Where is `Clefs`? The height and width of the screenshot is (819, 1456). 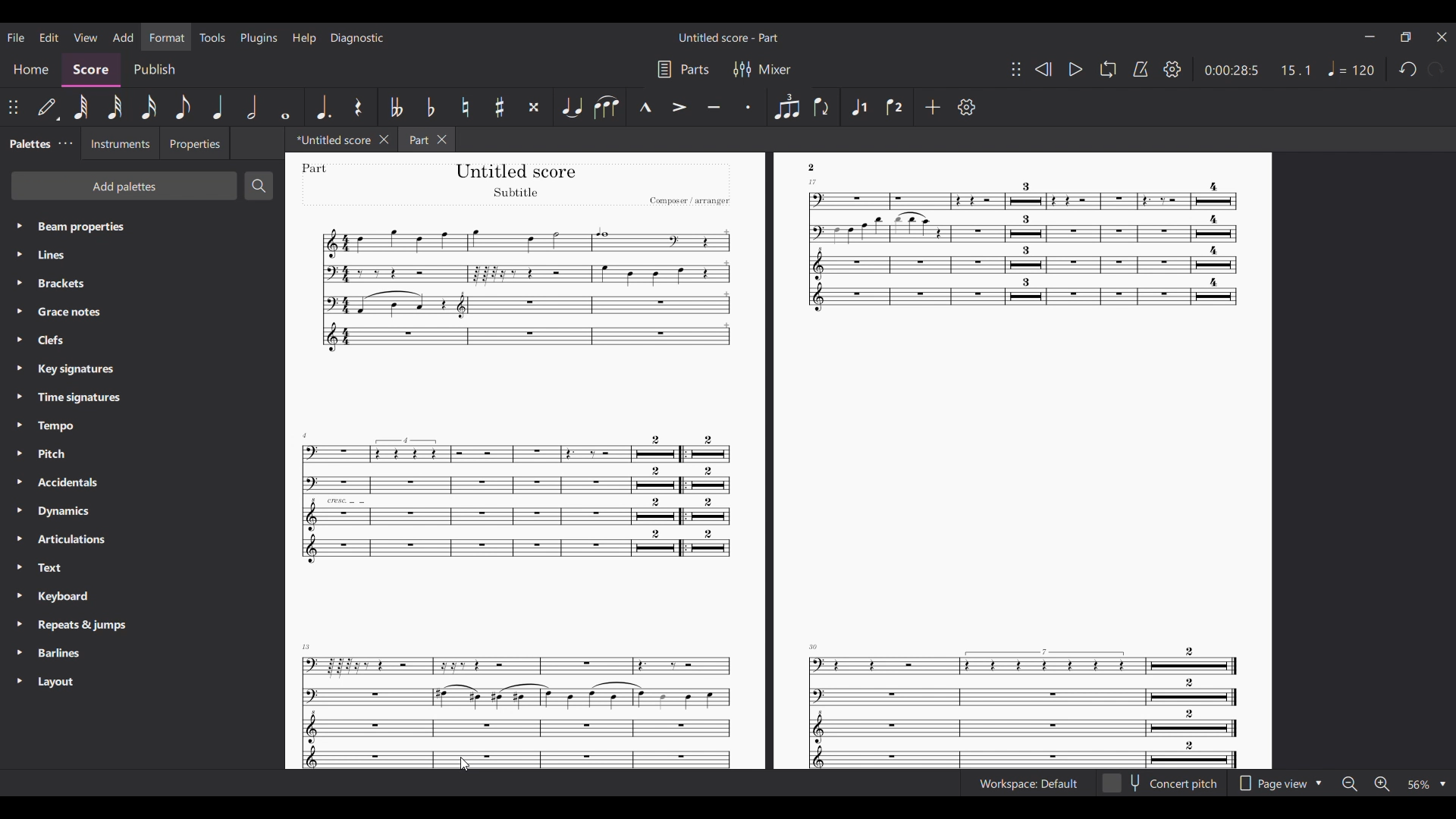
Clefs is located at coordinates (68, 340).